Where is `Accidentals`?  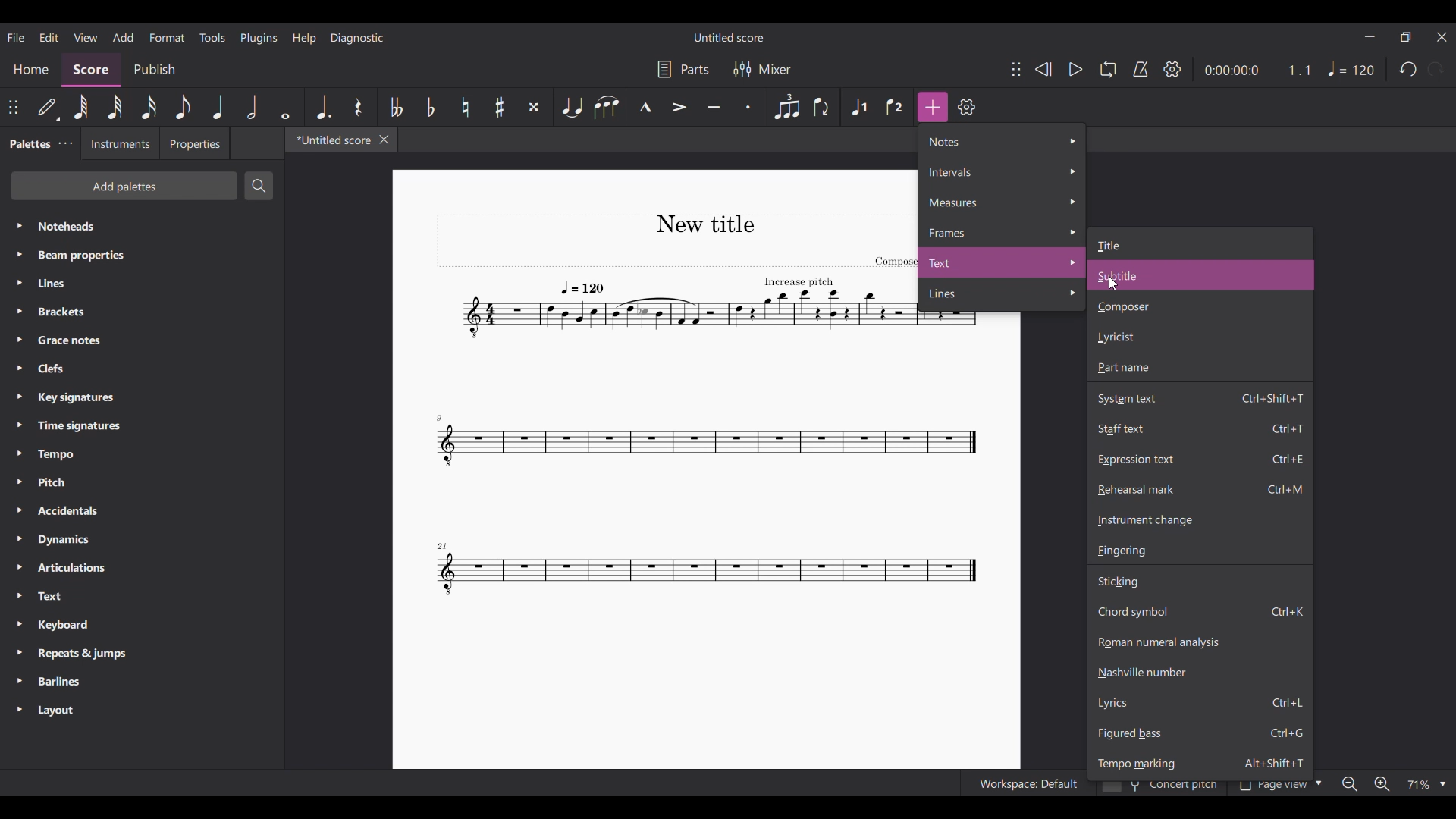 Accidentals is located at coordinates (142, 512).